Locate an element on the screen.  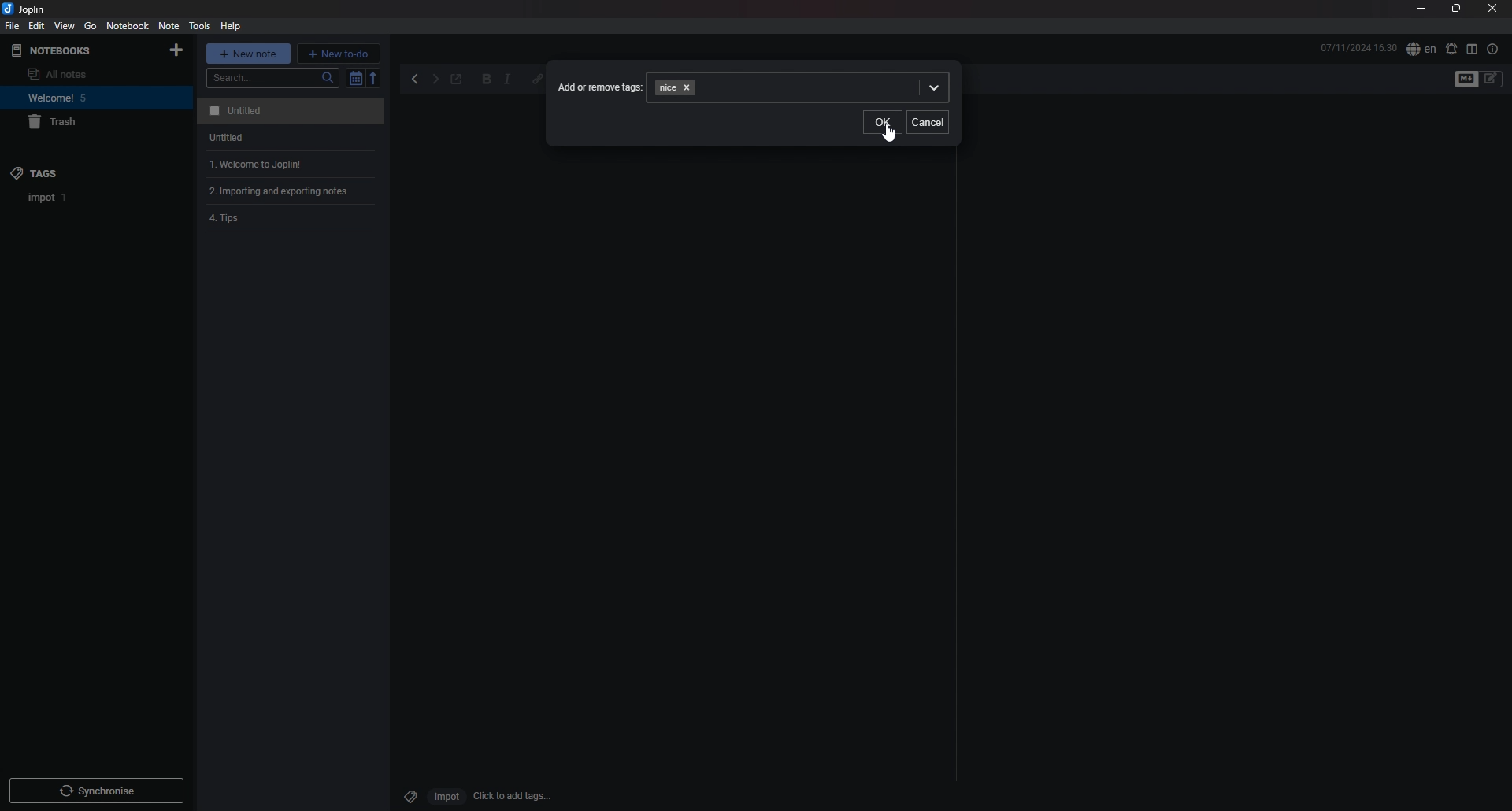
bold is located at coordinates (487, 80).